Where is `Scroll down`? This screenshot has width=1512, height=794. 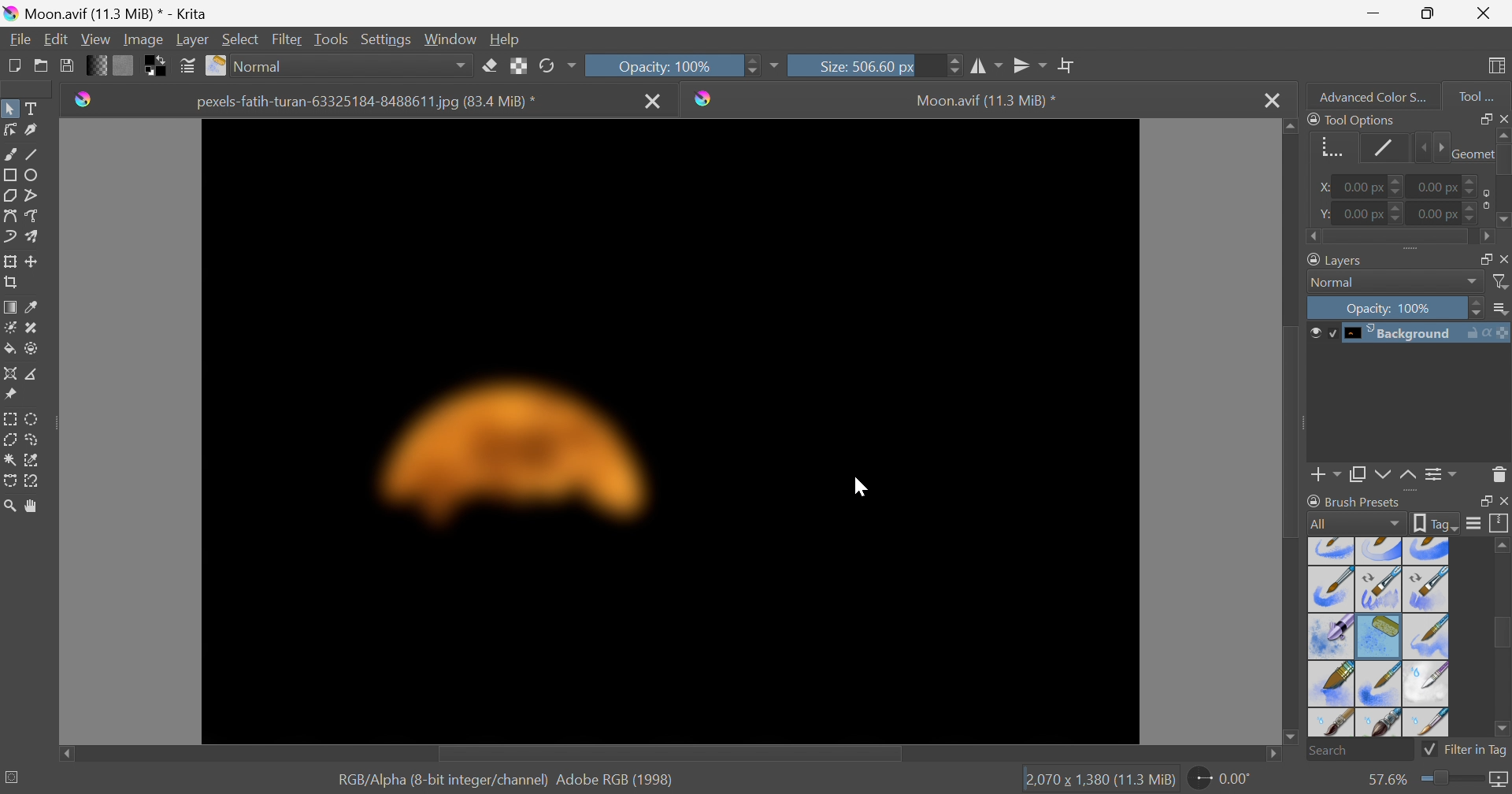
Scroll down is located at coordinates (1503, 731).